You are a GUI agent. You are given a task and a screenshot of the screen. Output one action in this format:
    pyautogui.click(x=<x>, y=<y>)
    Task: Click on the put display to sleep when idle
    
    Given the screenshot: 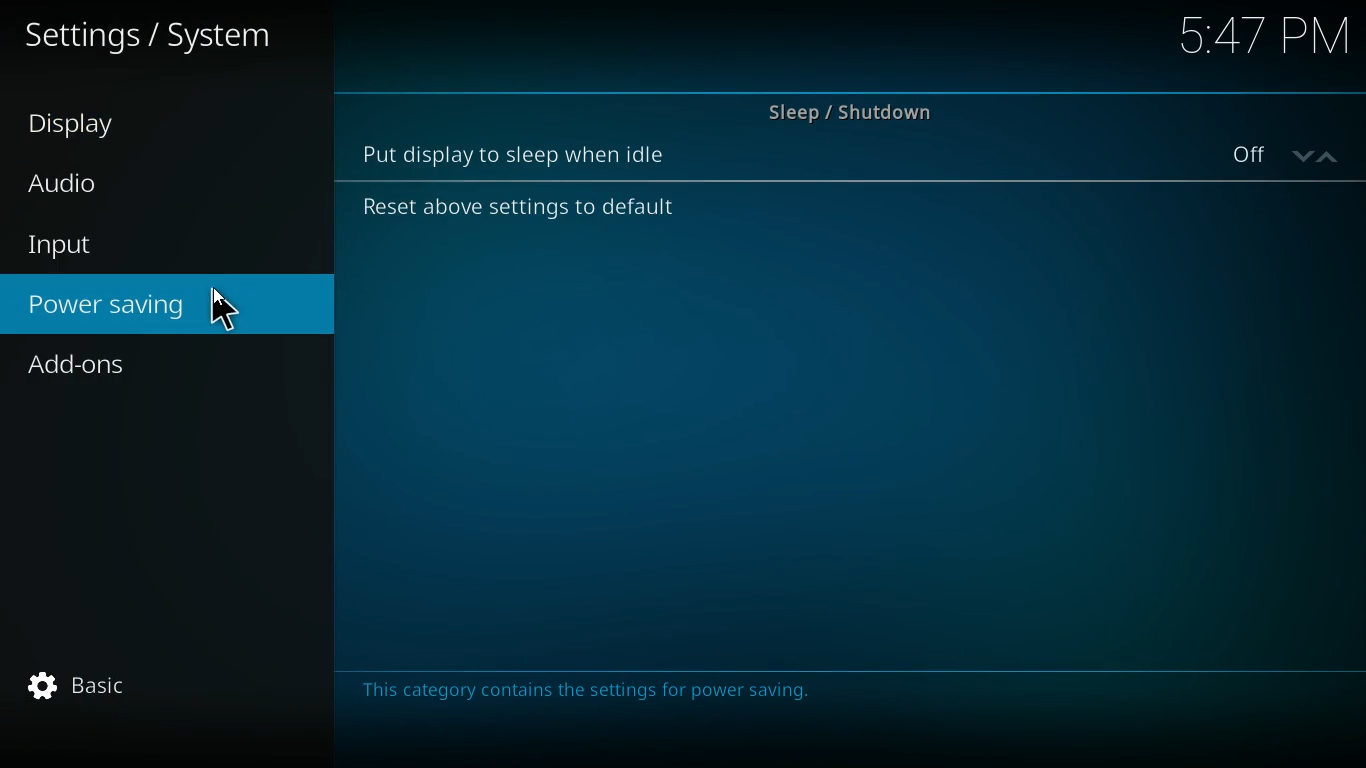 What is the action you would take?
    pyautogui.click(x=524, y=154)
    